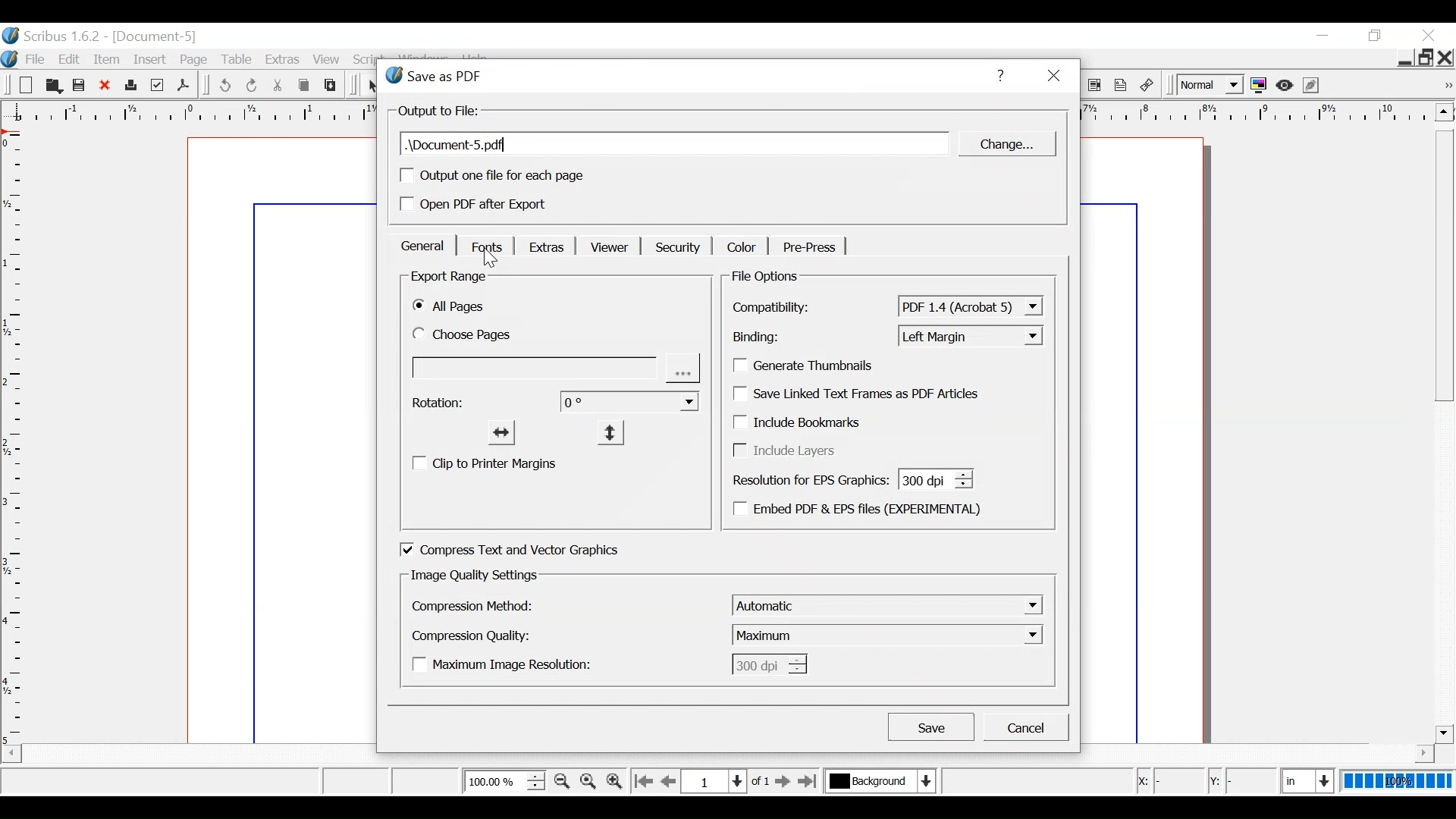  I want to click on Compression method dropdown, so click(886, 604).